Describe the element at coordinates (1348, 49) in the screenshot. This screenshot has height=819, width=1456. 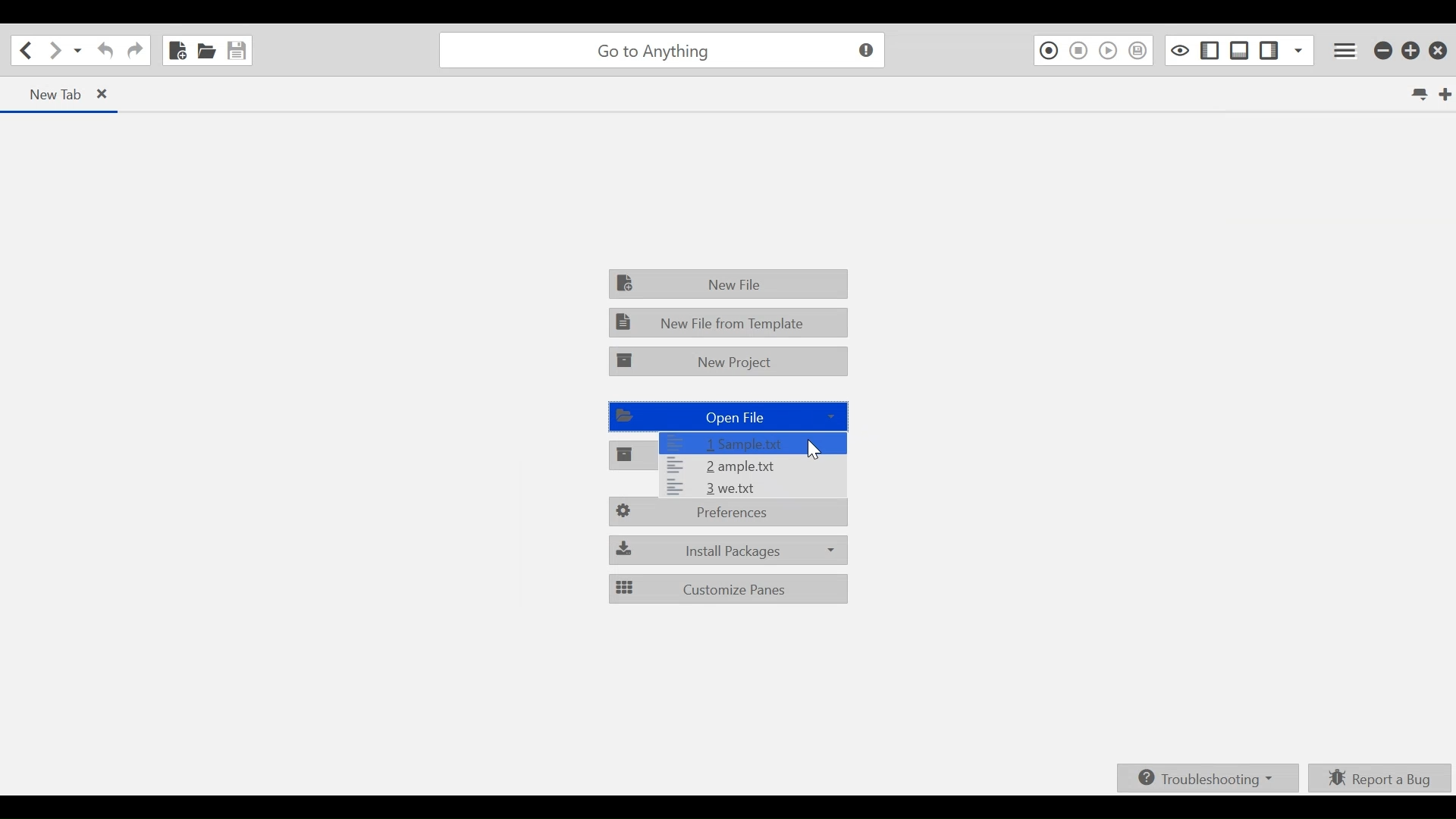
I see `Application menu` at that location.